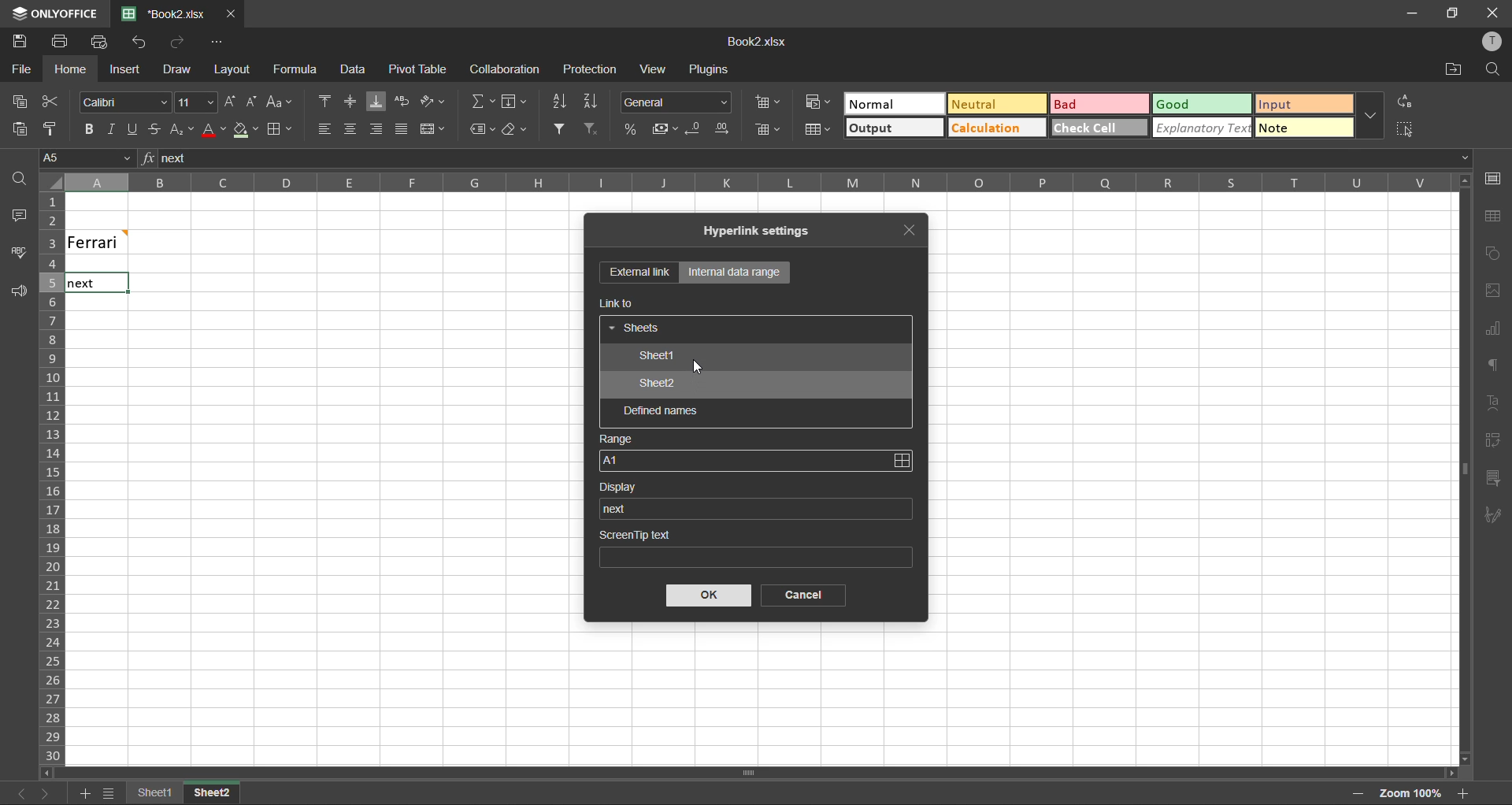 Image resolution: width=1512 pixels, height=805 pixels. What do you see at coordinates (358, 71) in the screenshot?
I see `data` at bounding box center [358, 71].